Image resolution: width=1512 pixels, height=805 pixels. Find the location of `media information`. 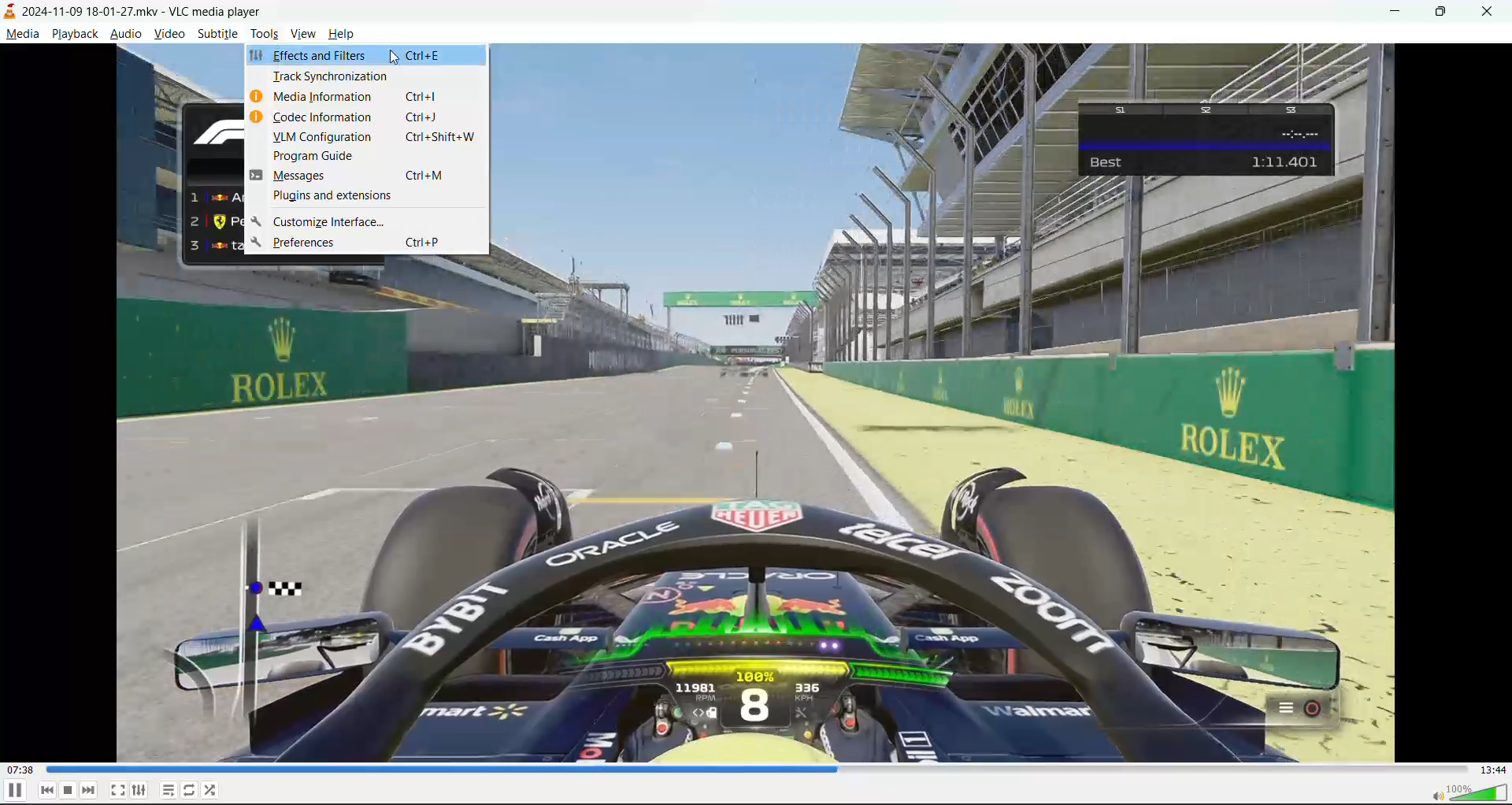

media information is located at coordinates (376, 97).